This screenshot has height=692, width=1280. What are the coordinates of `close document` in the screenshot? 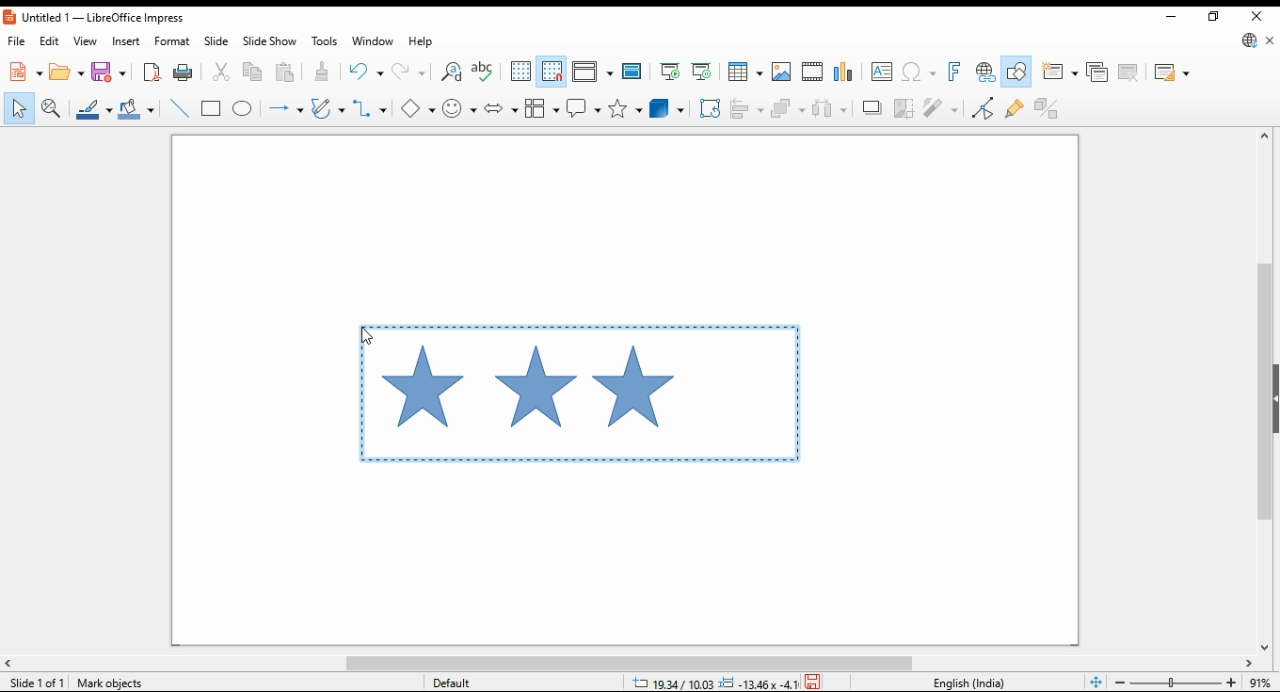 It's located at (1268, 38).